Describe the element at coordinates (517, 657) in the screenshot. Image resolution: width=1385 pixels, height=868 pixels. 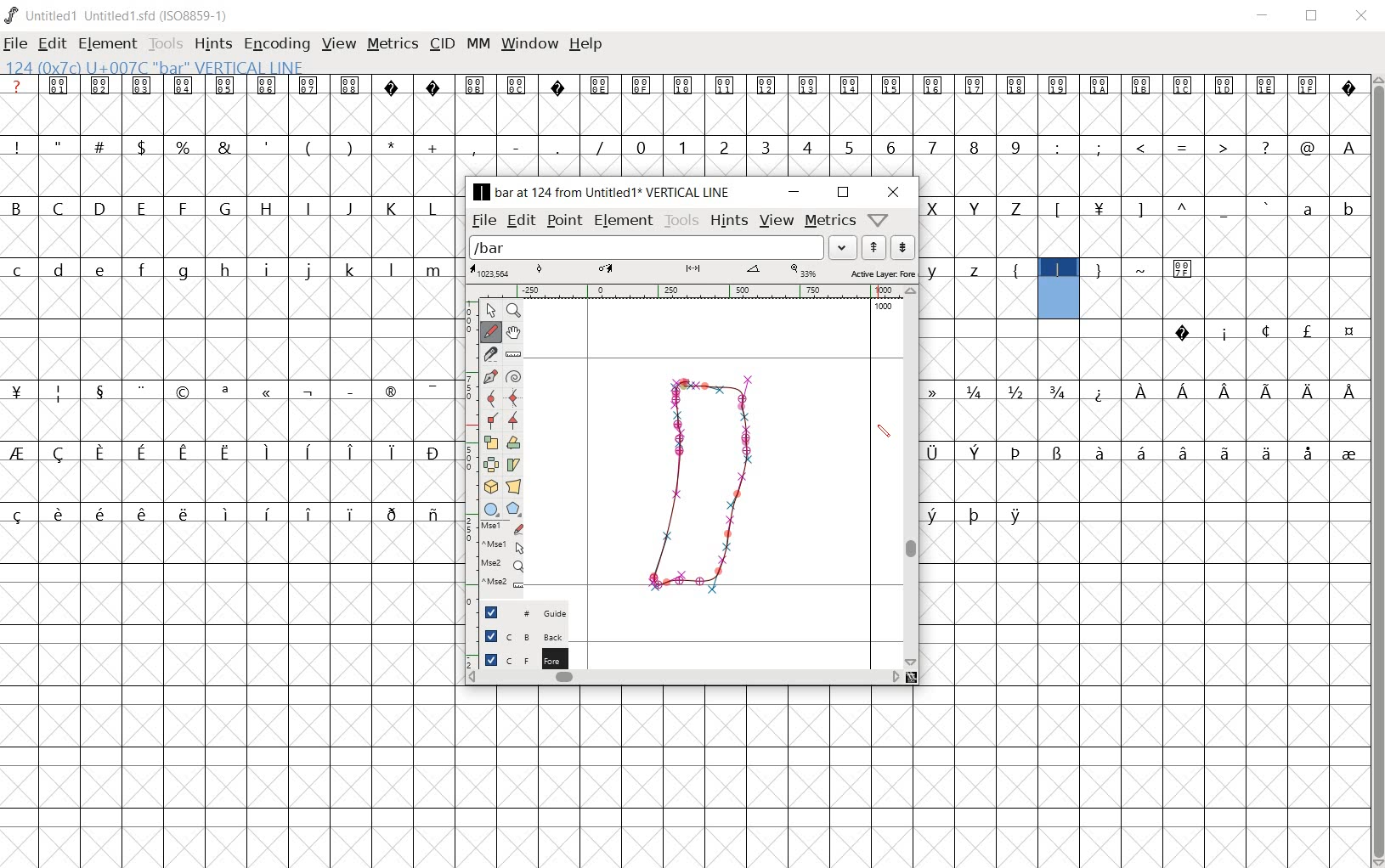
I see `foreground` at that location.